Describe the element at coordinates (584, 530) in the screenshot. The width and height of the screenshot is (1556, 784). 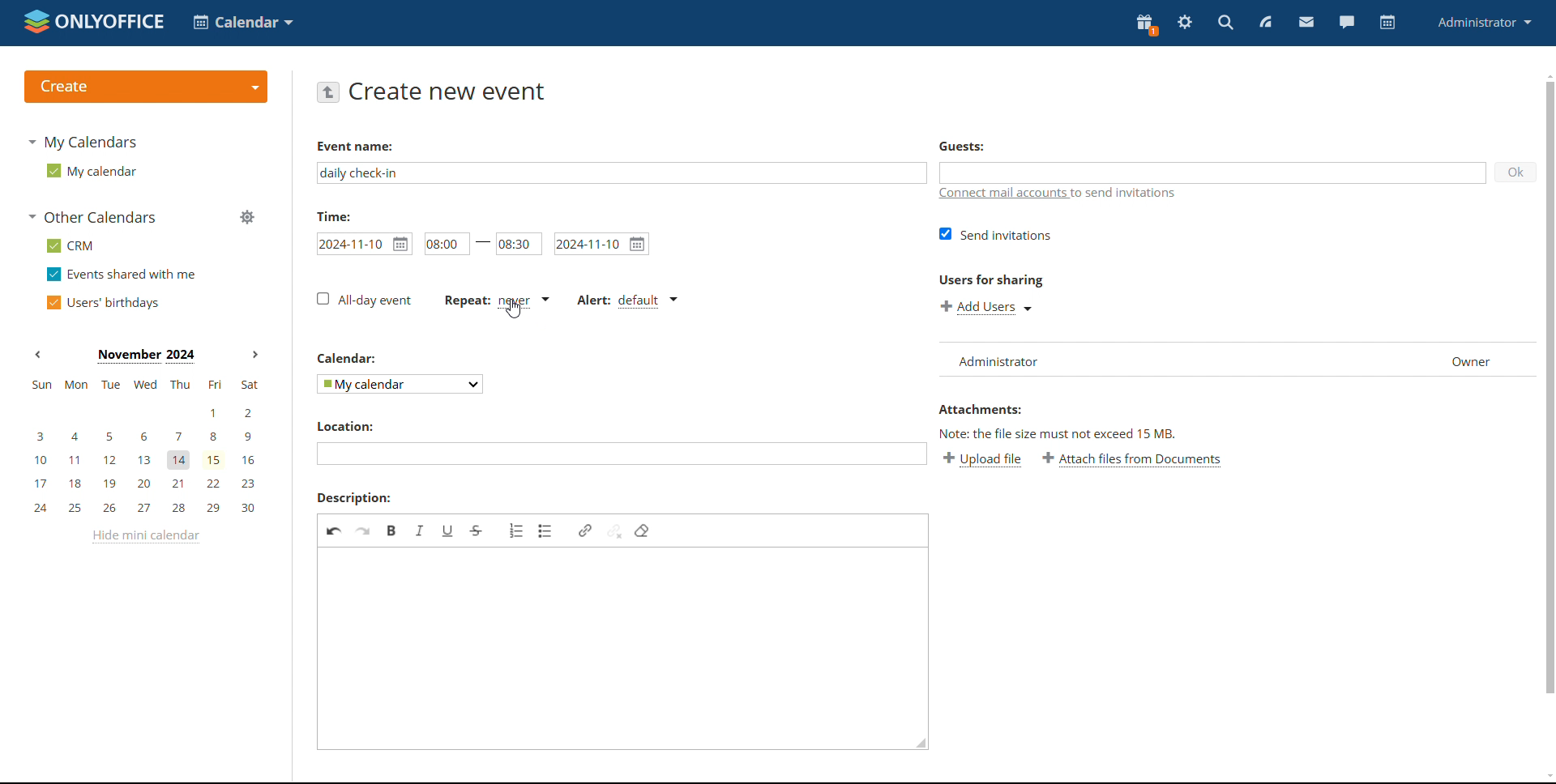
I see `link` at that location.